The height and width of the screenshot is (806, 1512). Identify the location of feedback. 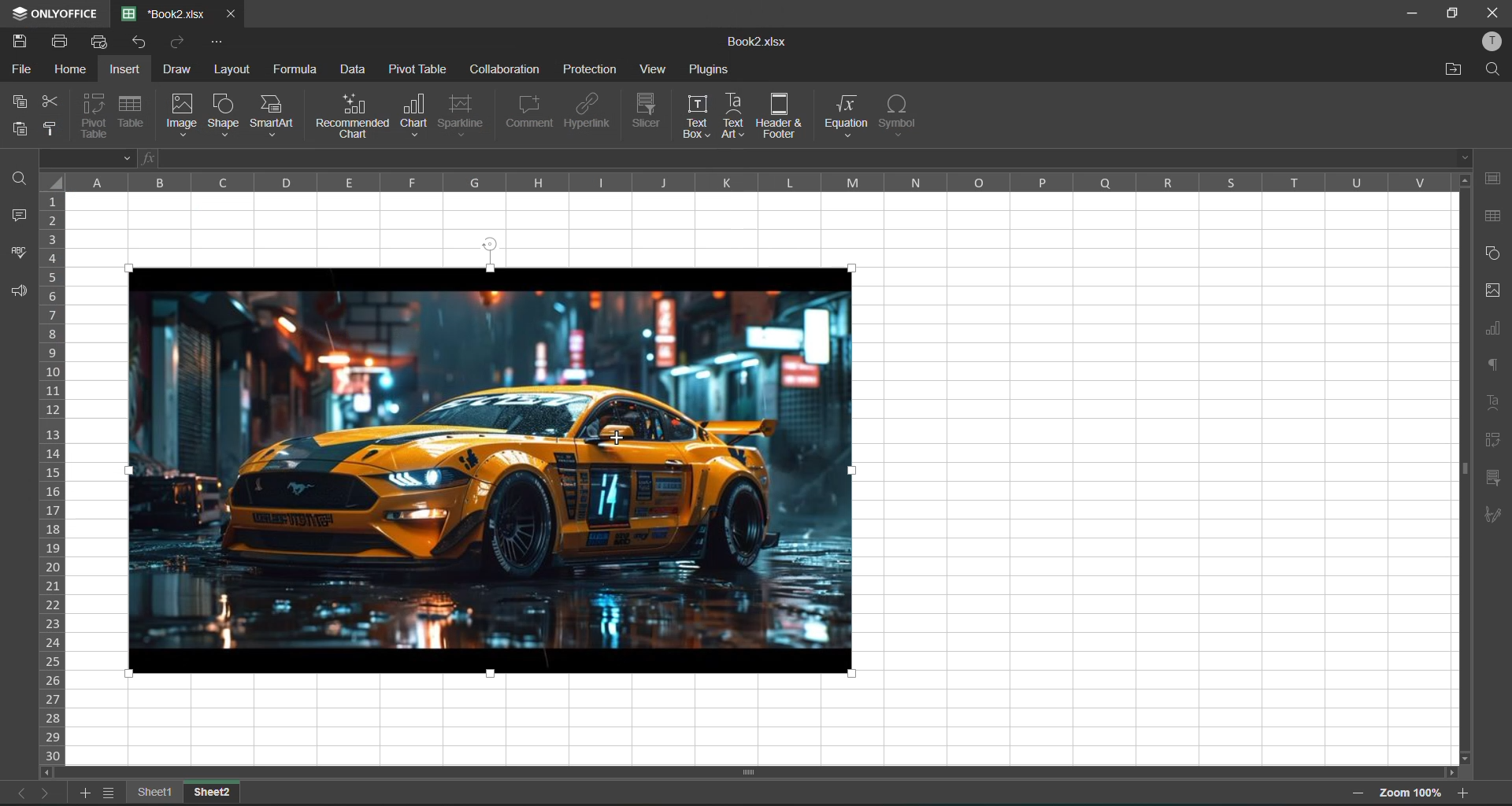
(20, 293).